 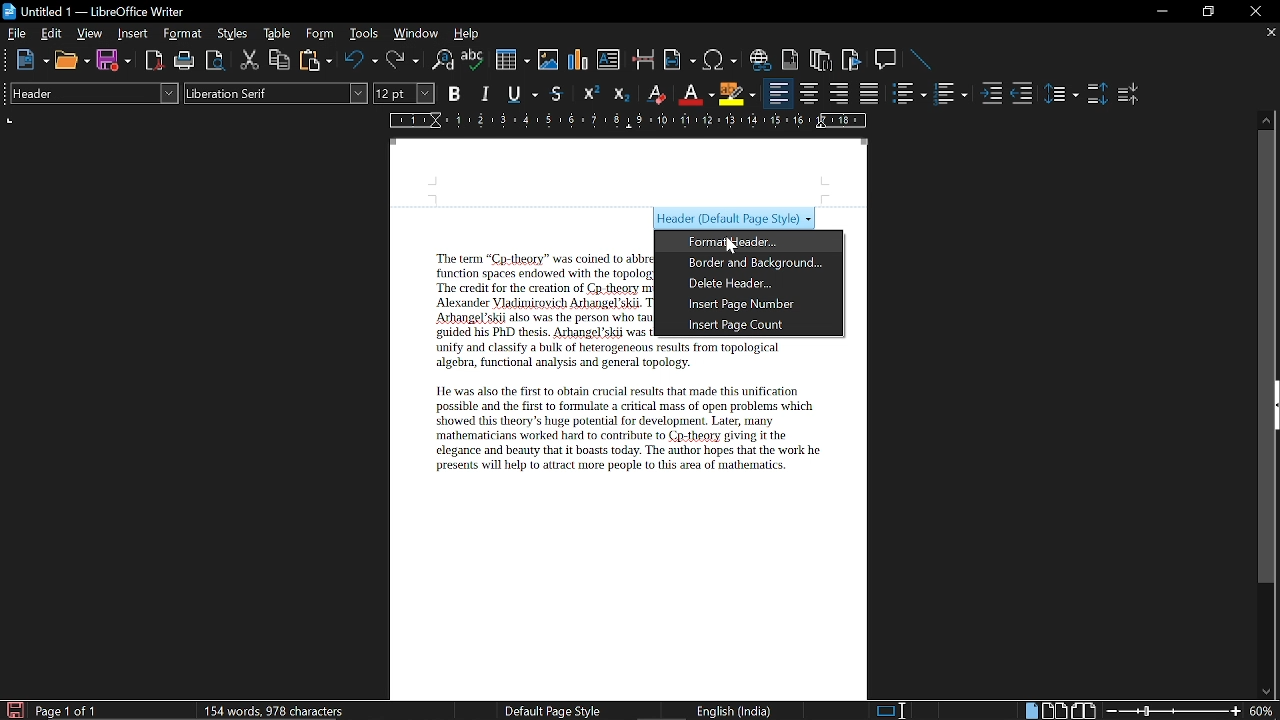 What do you see at coordinates (314, 59) in the screenshot?
I see `Paste` at bounding box center [314, 59].